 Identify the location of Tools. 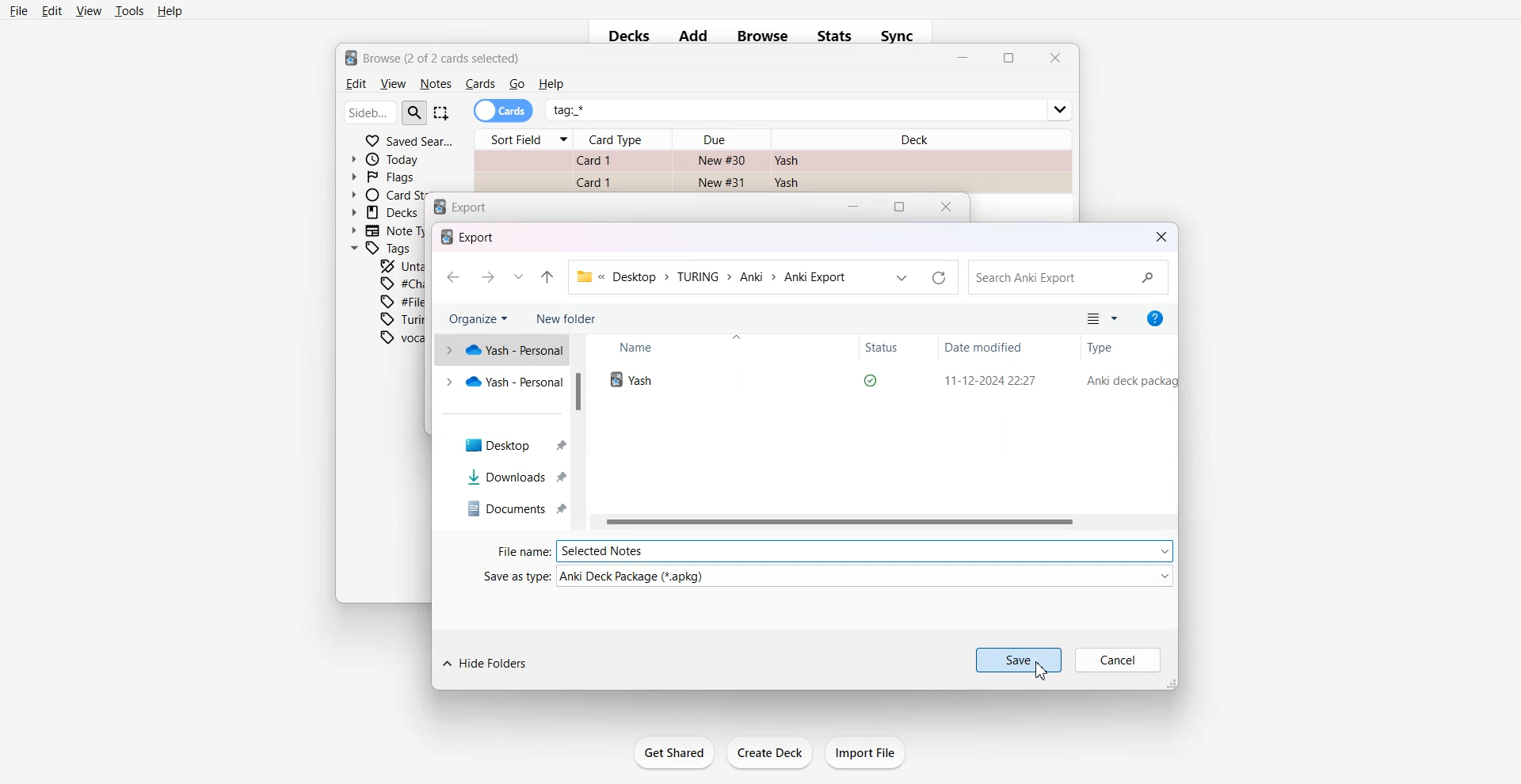
(129, 11).